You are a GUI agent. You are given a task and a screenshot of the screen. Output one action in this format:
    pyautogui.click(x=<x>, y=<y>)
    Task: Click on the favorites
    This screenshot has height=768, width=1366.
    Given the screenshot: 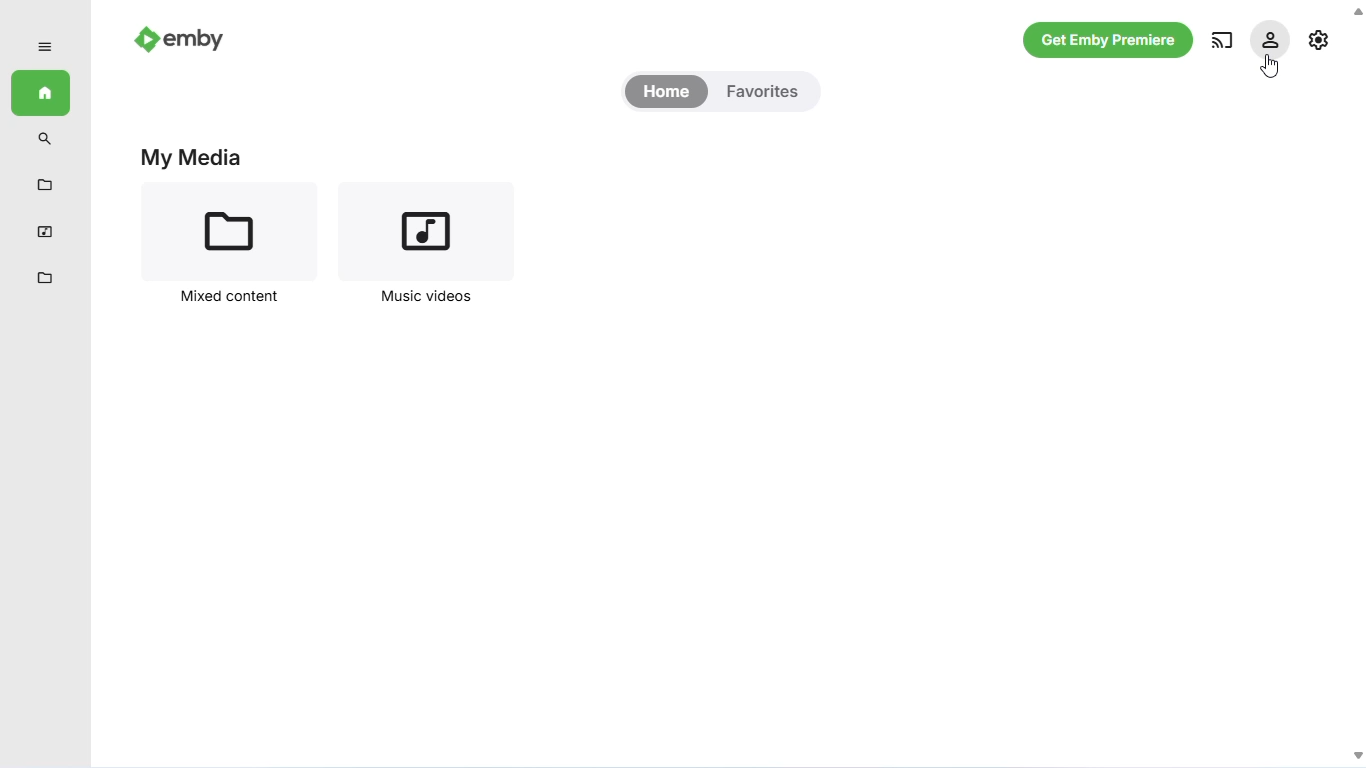 What is the action you would take?
    pyautogui.click(x=762, y=92)
    